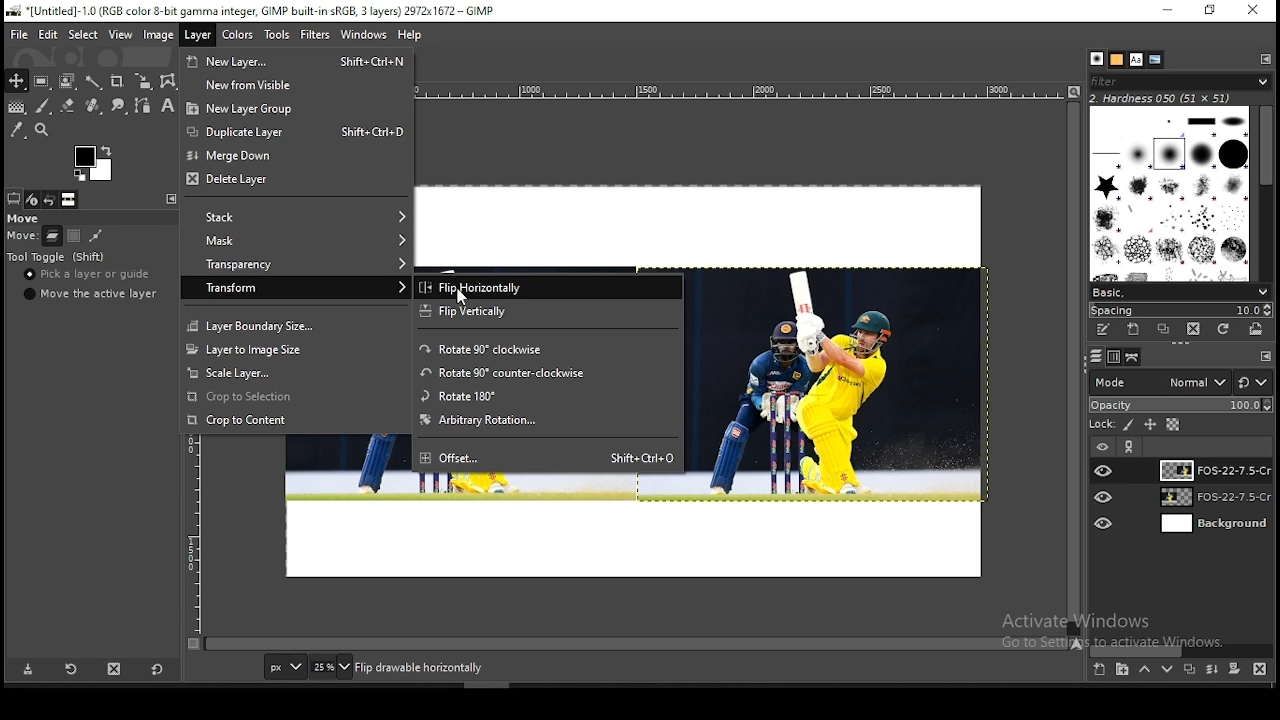 The image size is (1280, 720). What do you see at coordinates (1144, 671) in the screenshot?
I see `move layer on step up` at bounding box center [1144, 671].